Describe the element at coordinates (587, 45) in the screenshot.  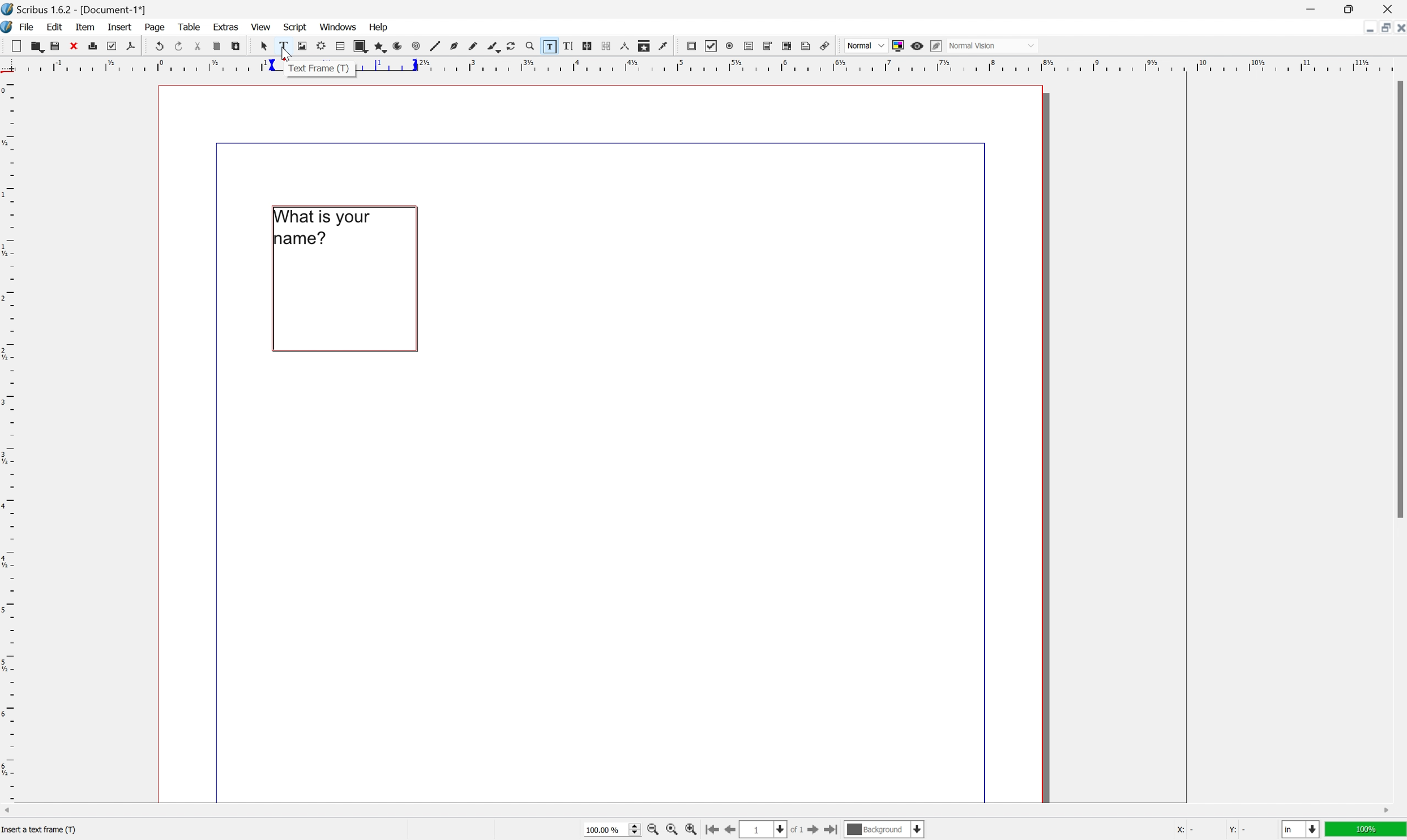
I see `link text frames` at that location.